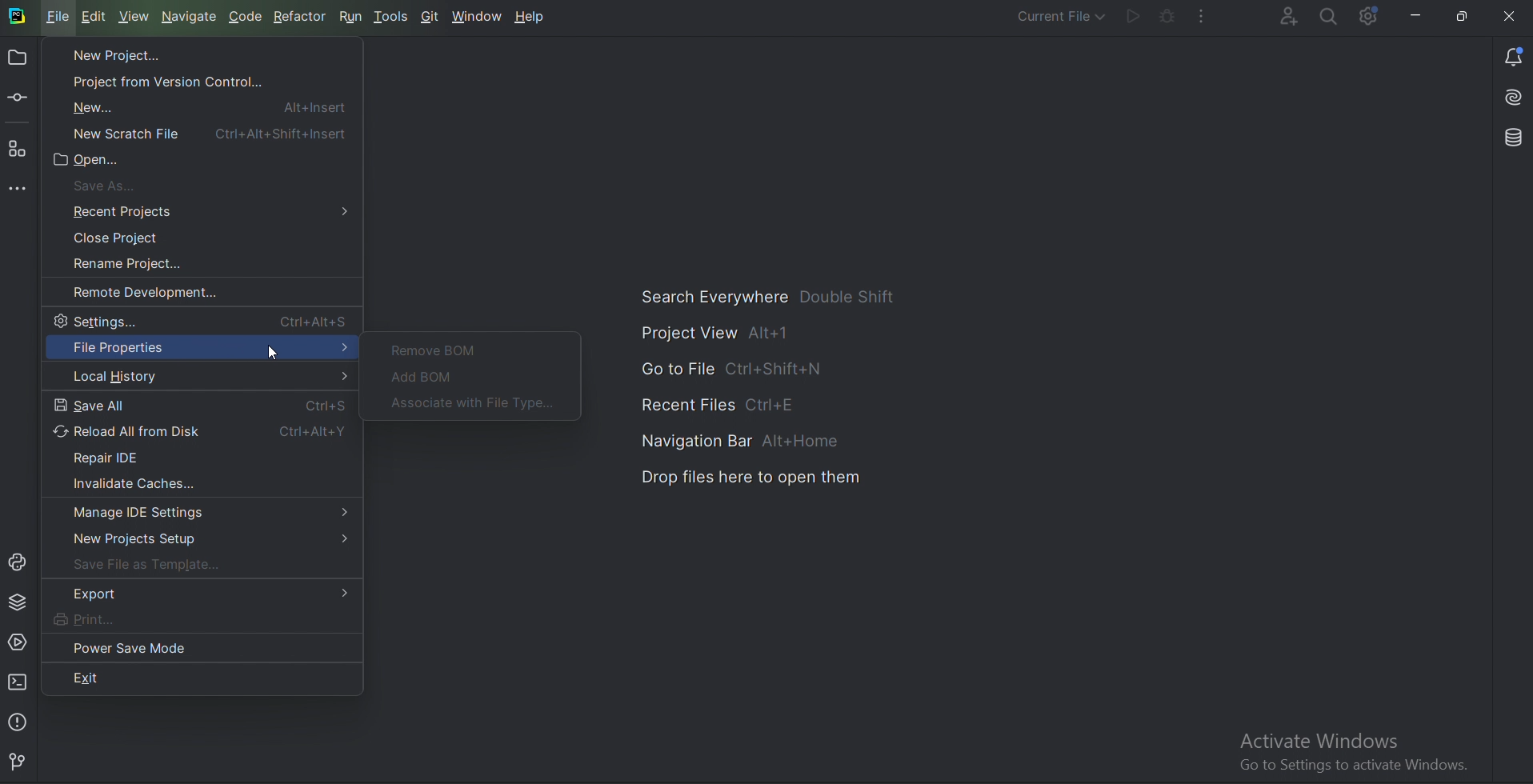 The width and height of the screenshot is (1533, 784). I want to click on Code, so click(246, 17).